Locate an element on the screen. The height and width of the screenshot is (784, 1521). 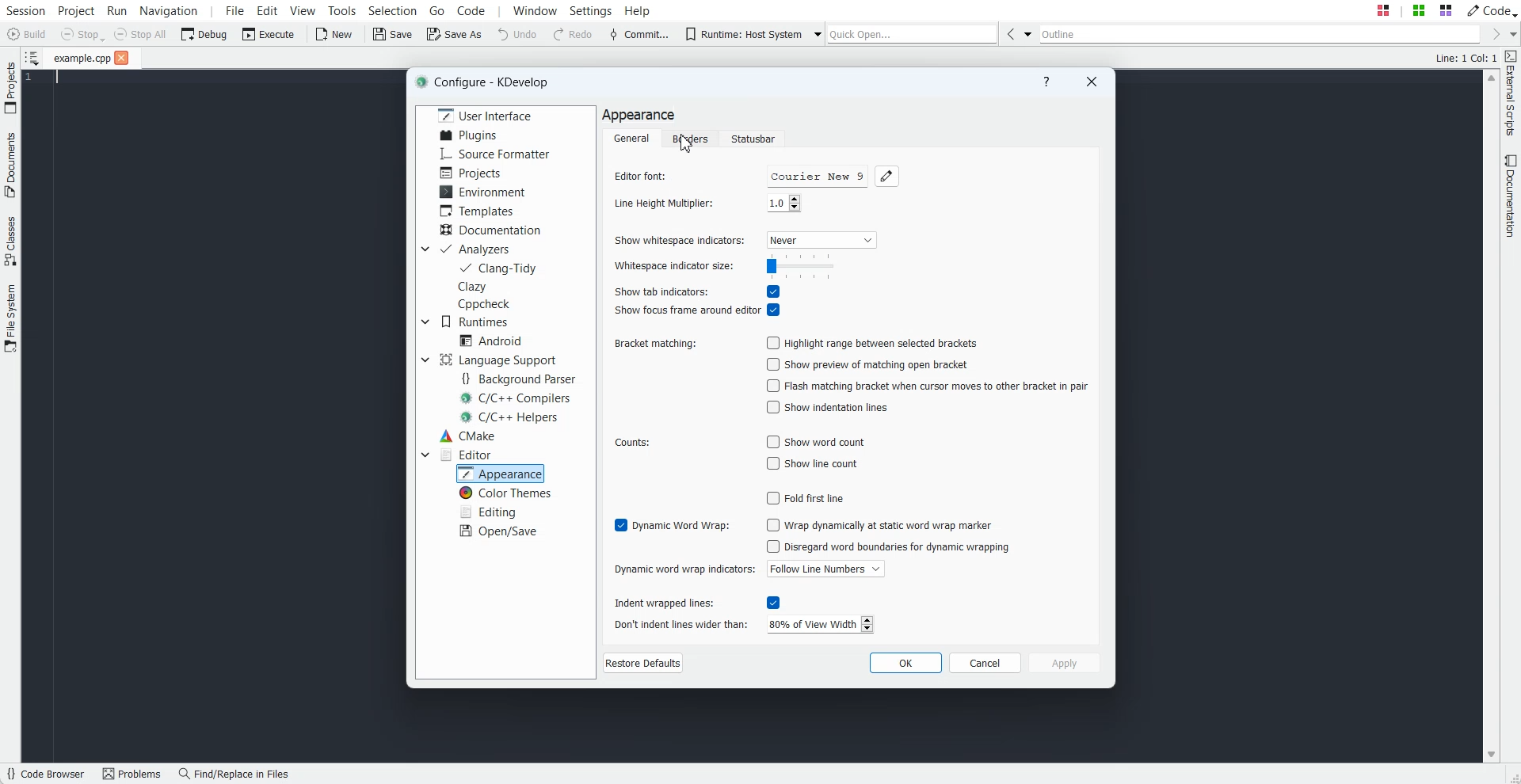
Session is located at coordinates (25, 10).